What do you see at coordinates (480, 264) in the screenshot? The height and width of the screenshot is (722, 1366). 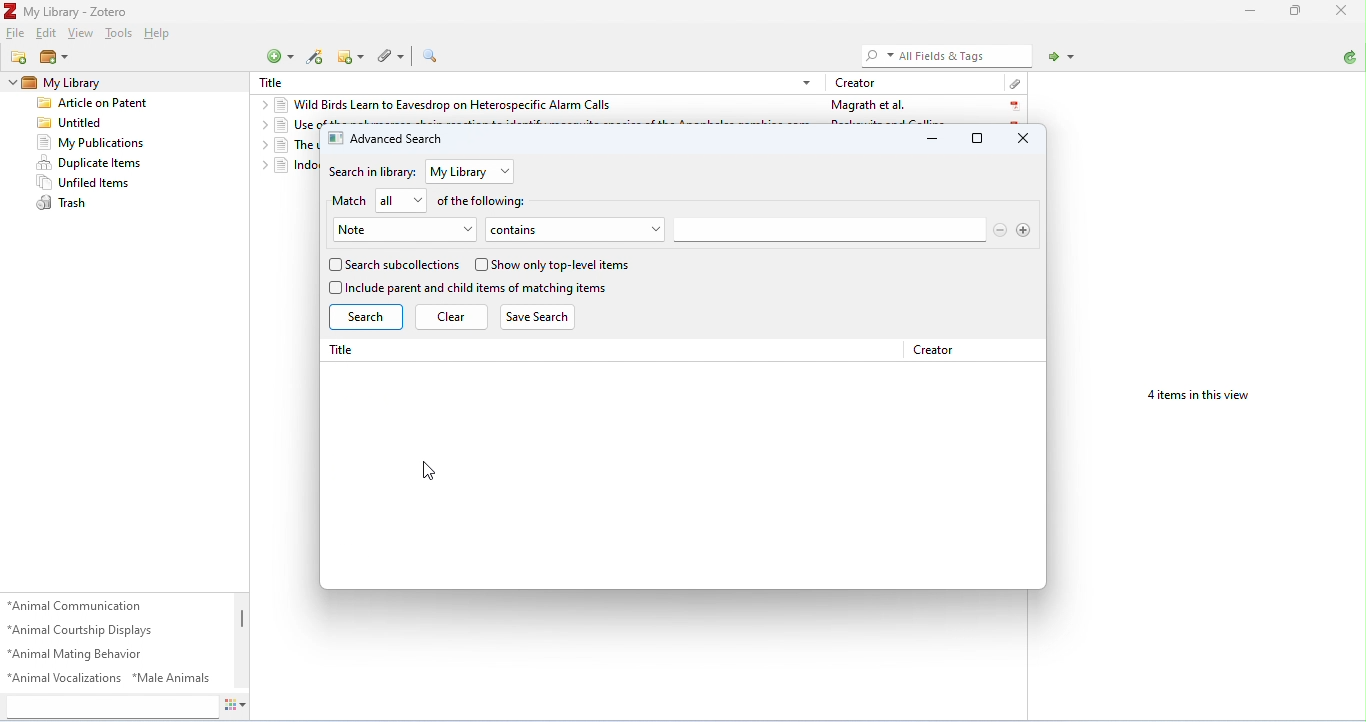 I see `checkbox` at bounding box center [480, 264].